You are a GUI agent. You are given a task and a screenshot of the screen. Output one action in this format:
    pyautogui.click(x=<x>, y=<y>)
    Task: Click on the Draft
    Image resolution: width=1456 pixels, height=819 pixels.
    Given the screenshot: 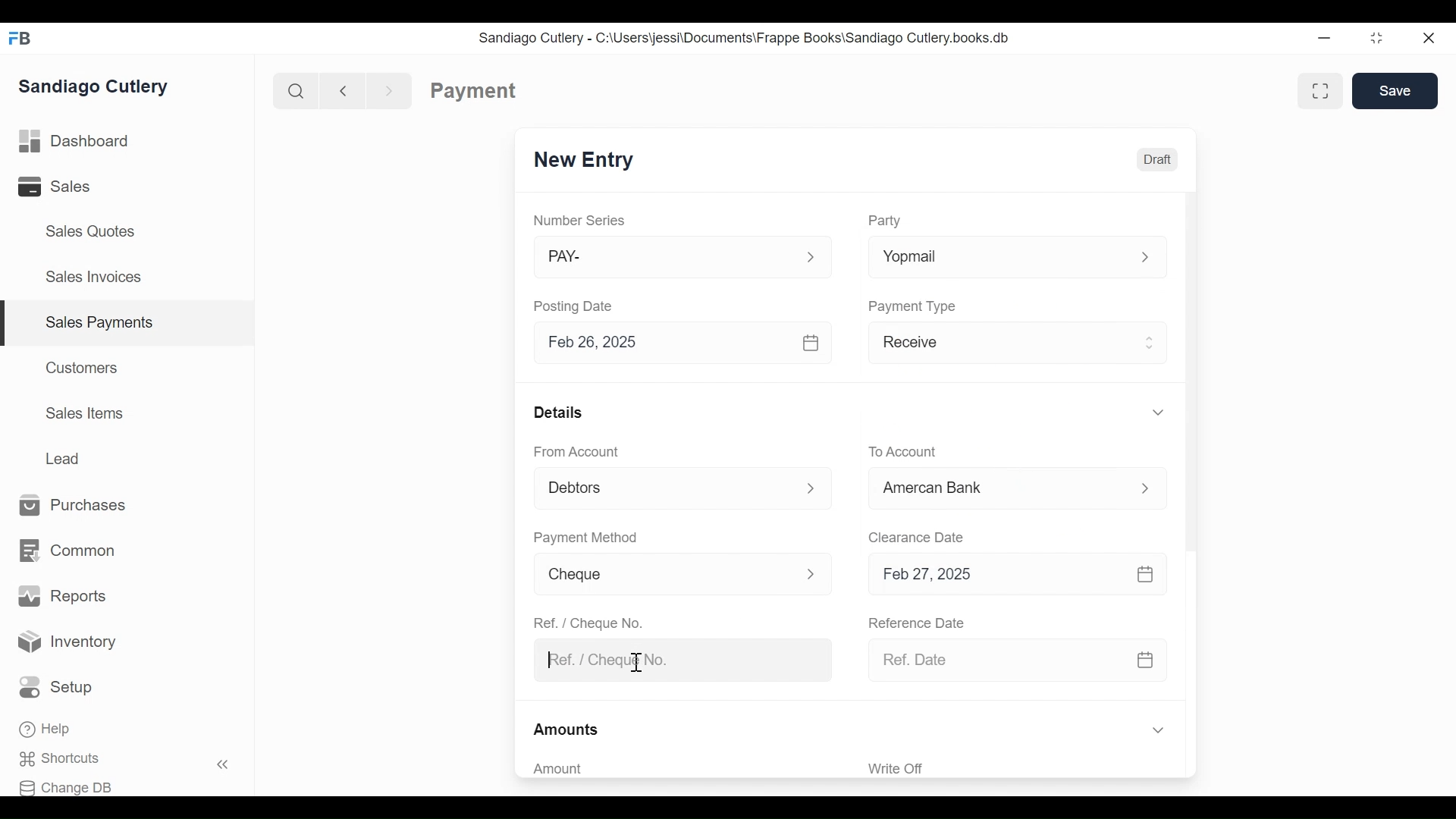 What is the action you would take?
    pyautogui.click(x=1156, y=158)
    